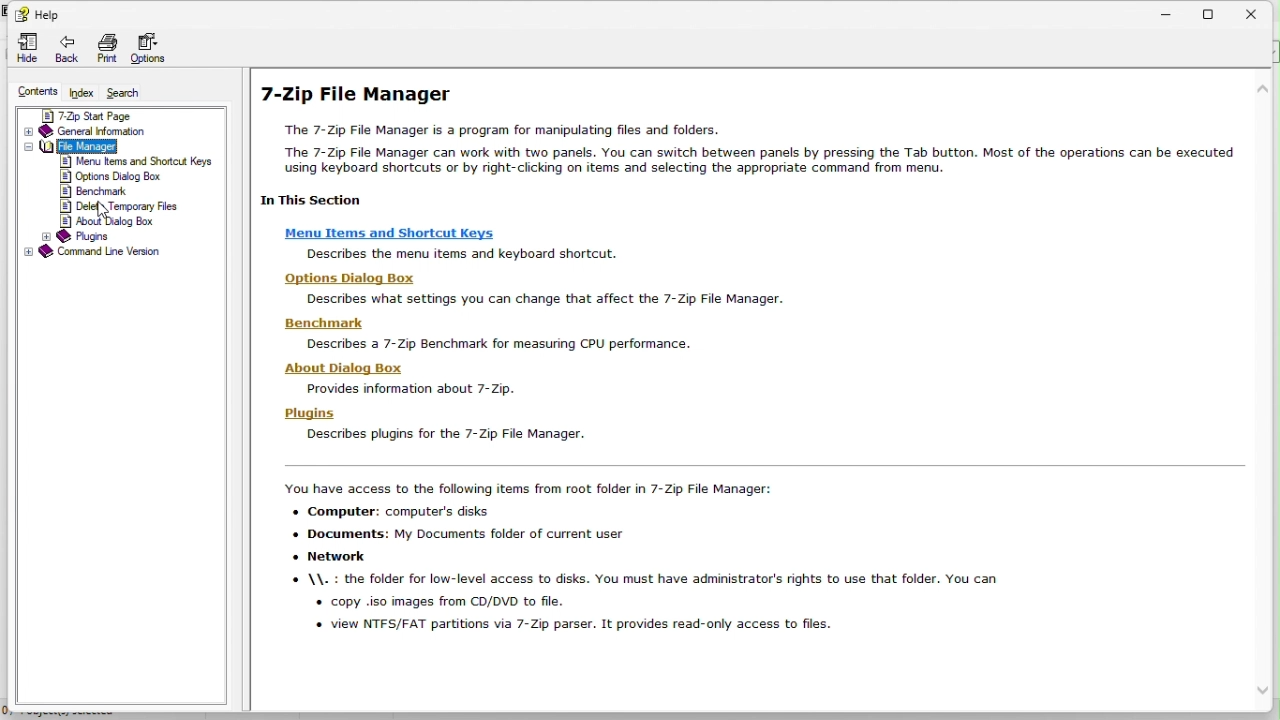 The width and height of the screenshot is (1280, 720). What do you see at coordinates (115, 146) in the screenshot?
I see `File manager` at bounding box center [115, 146].